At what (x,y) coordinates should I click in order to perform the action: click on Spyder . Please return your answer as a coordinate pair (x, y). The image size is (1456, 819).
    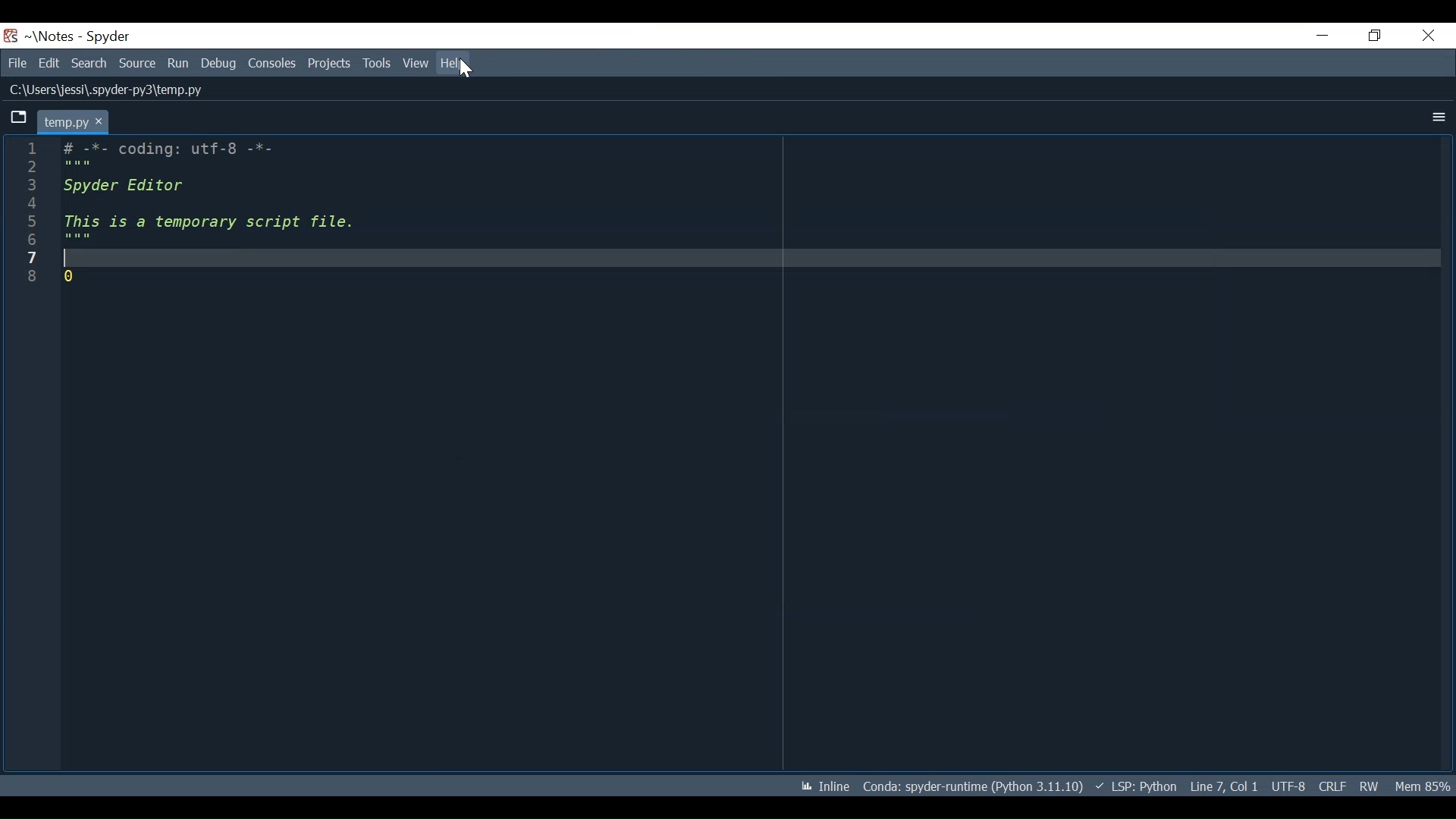
    Looking at the image, I should click on (108, 37).